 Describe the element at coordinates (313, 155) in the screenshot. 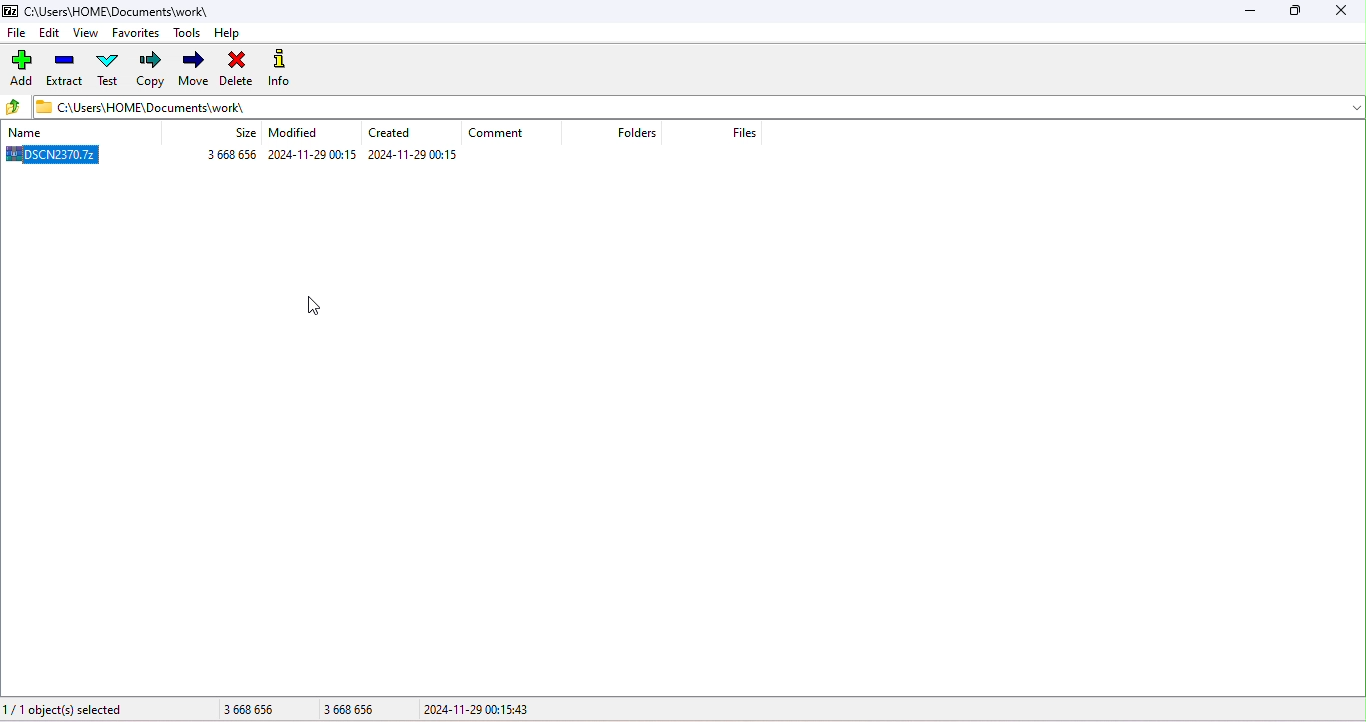

I see `modified data and time` at that location.